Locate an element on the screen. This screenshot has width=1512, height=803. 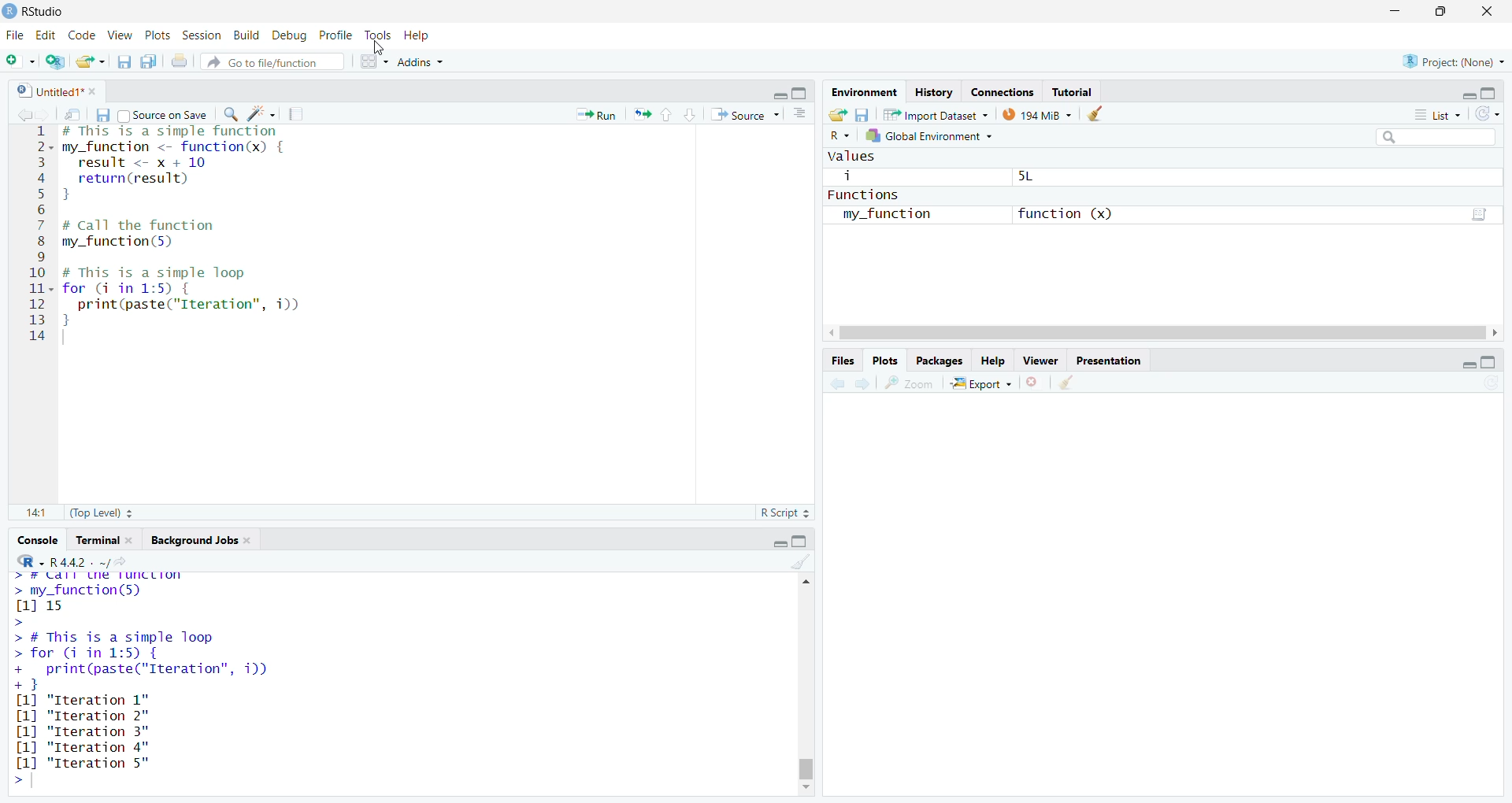
presentation is located at coordinates (1109, 359).